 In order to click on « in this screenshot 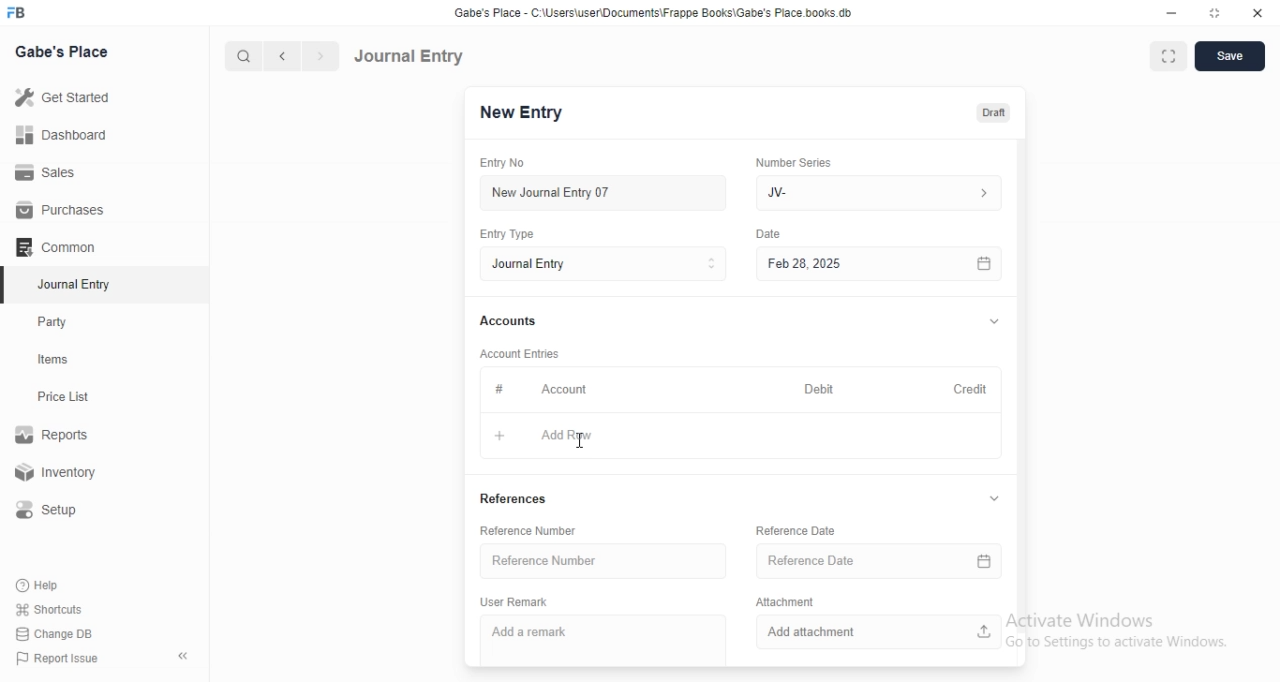, I will do `click(185, 657)`.